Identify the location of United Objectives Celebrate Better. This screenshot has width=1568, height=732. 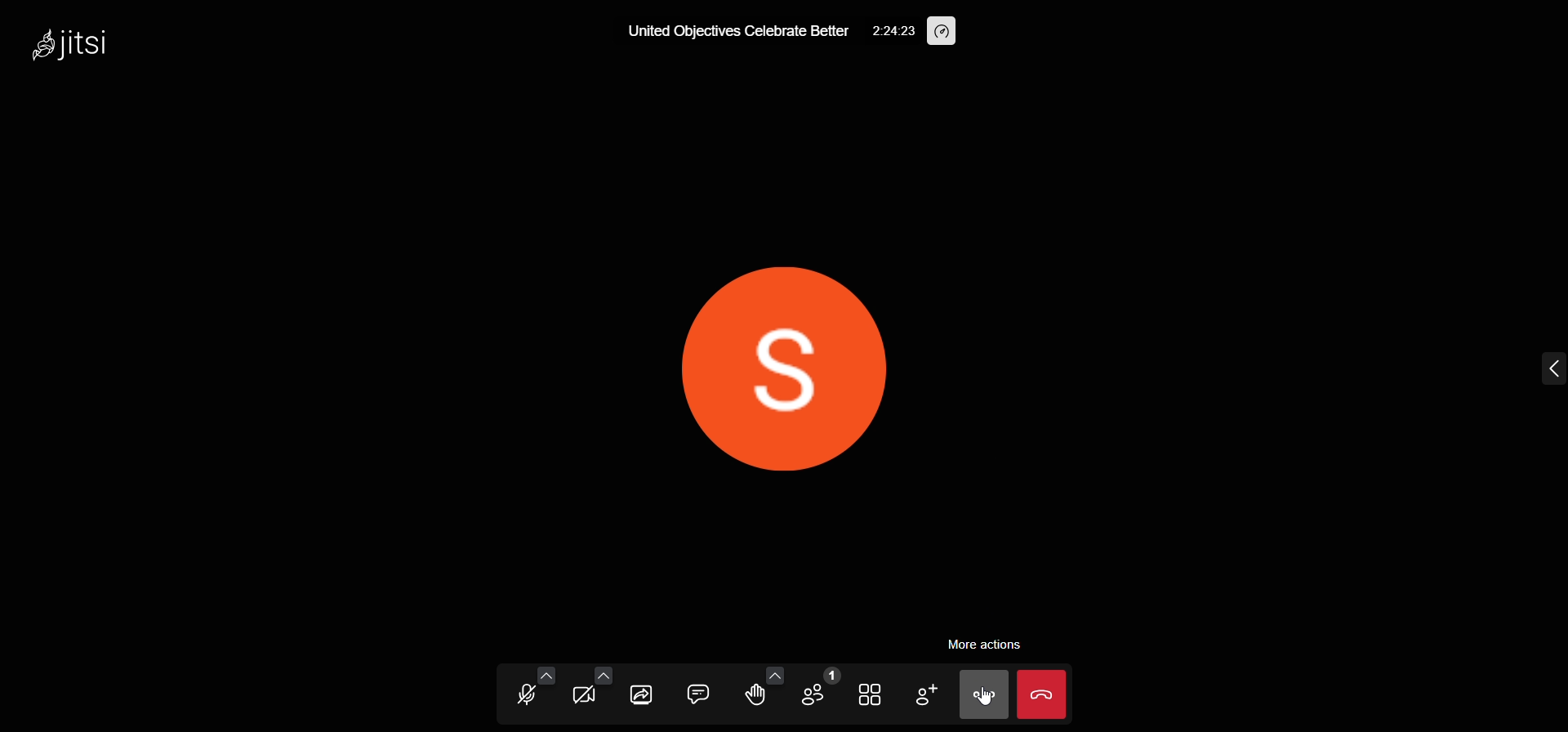
(738, 33).